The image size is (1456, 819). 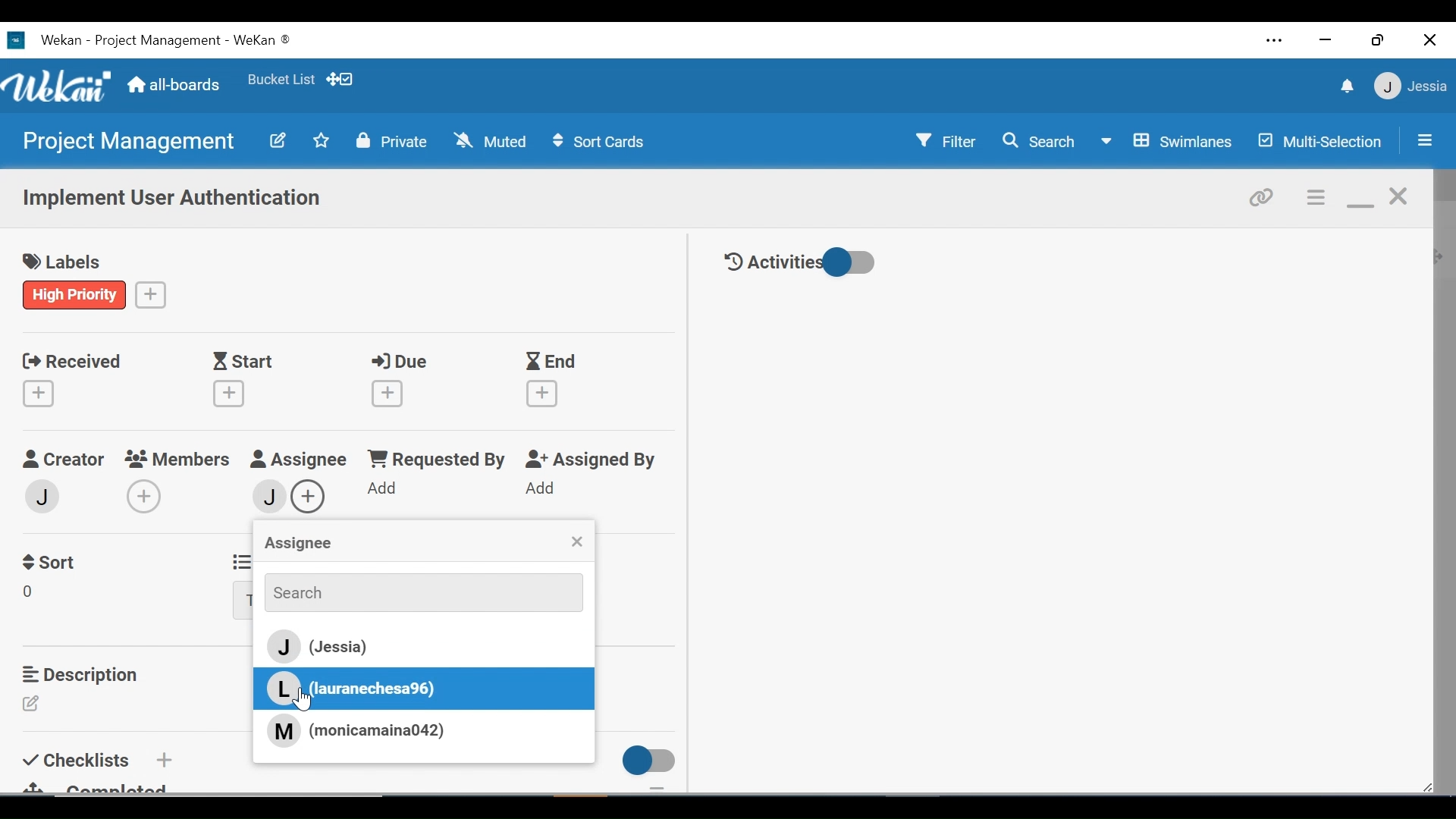 I want to click on Taggle on /off, so click(x=644, y=761).